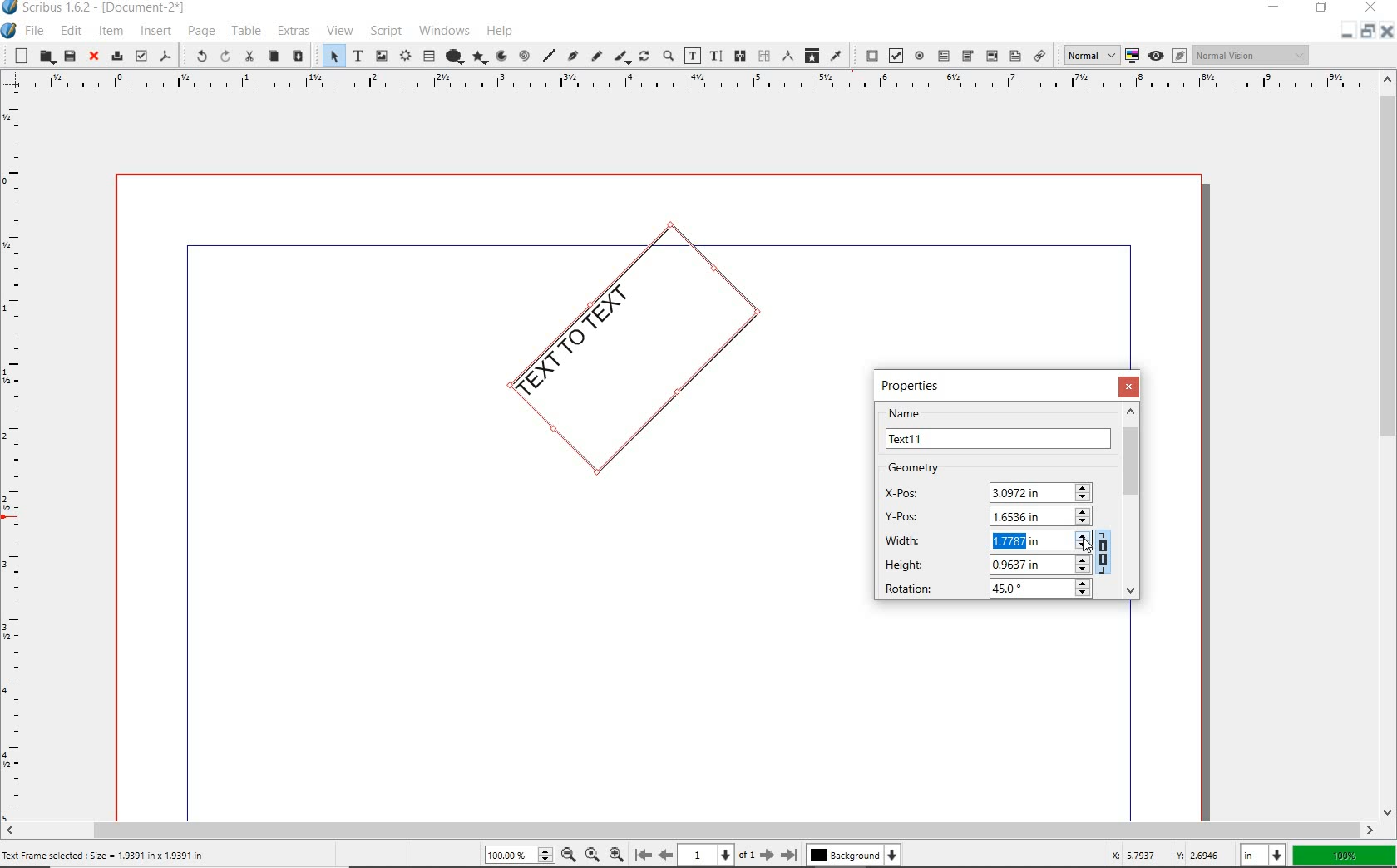 Image resolution: width=1397 pixels, height=868 pixels. What do you see at coordinates (1322, 9) in the screenshot?
I see `restore` at bounding box center [1322, 9].